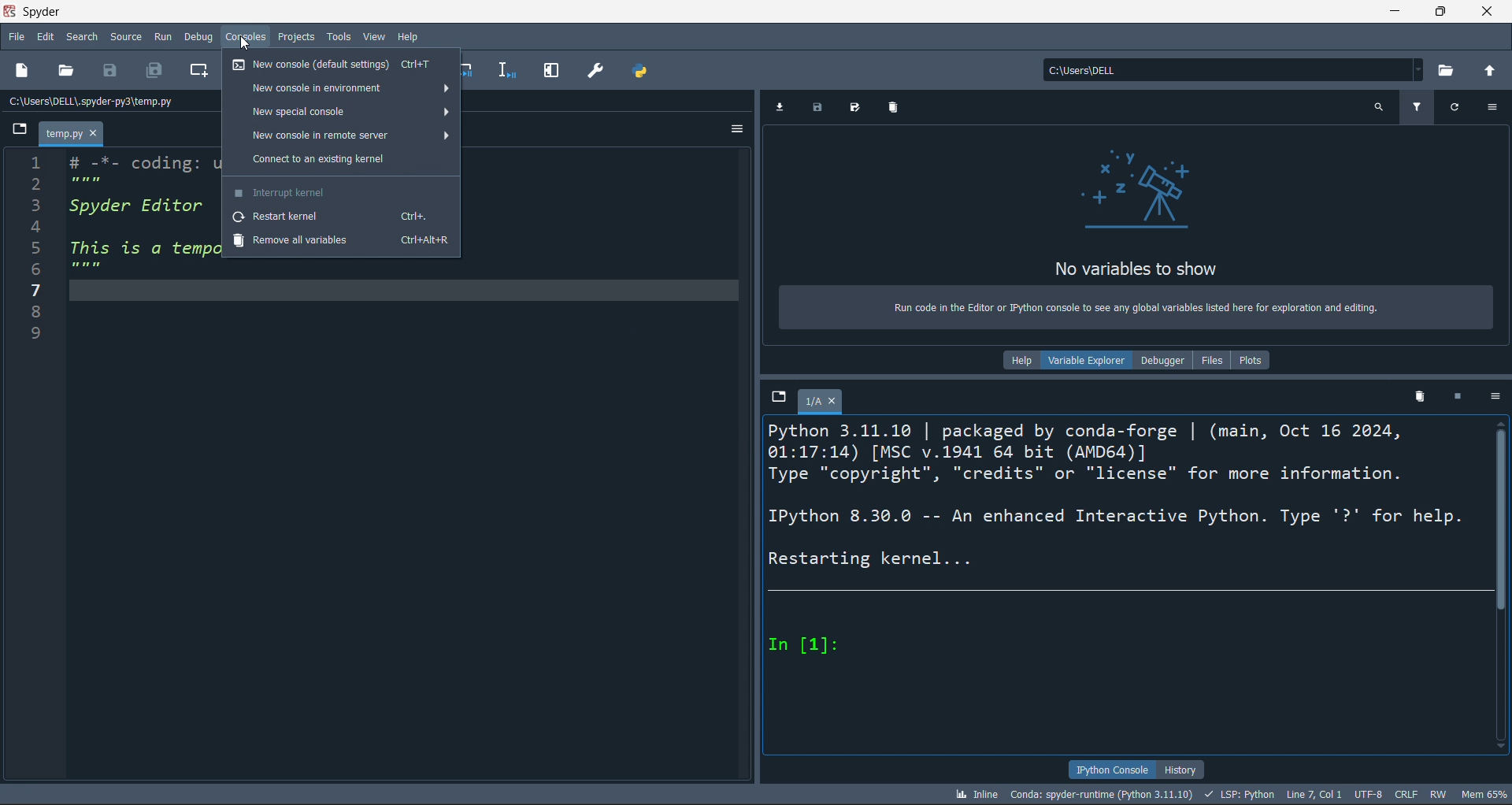  What do you see at coordinates (58, 12) in the screenshot?
I see `Spyder` at bounding box center [58, 12].